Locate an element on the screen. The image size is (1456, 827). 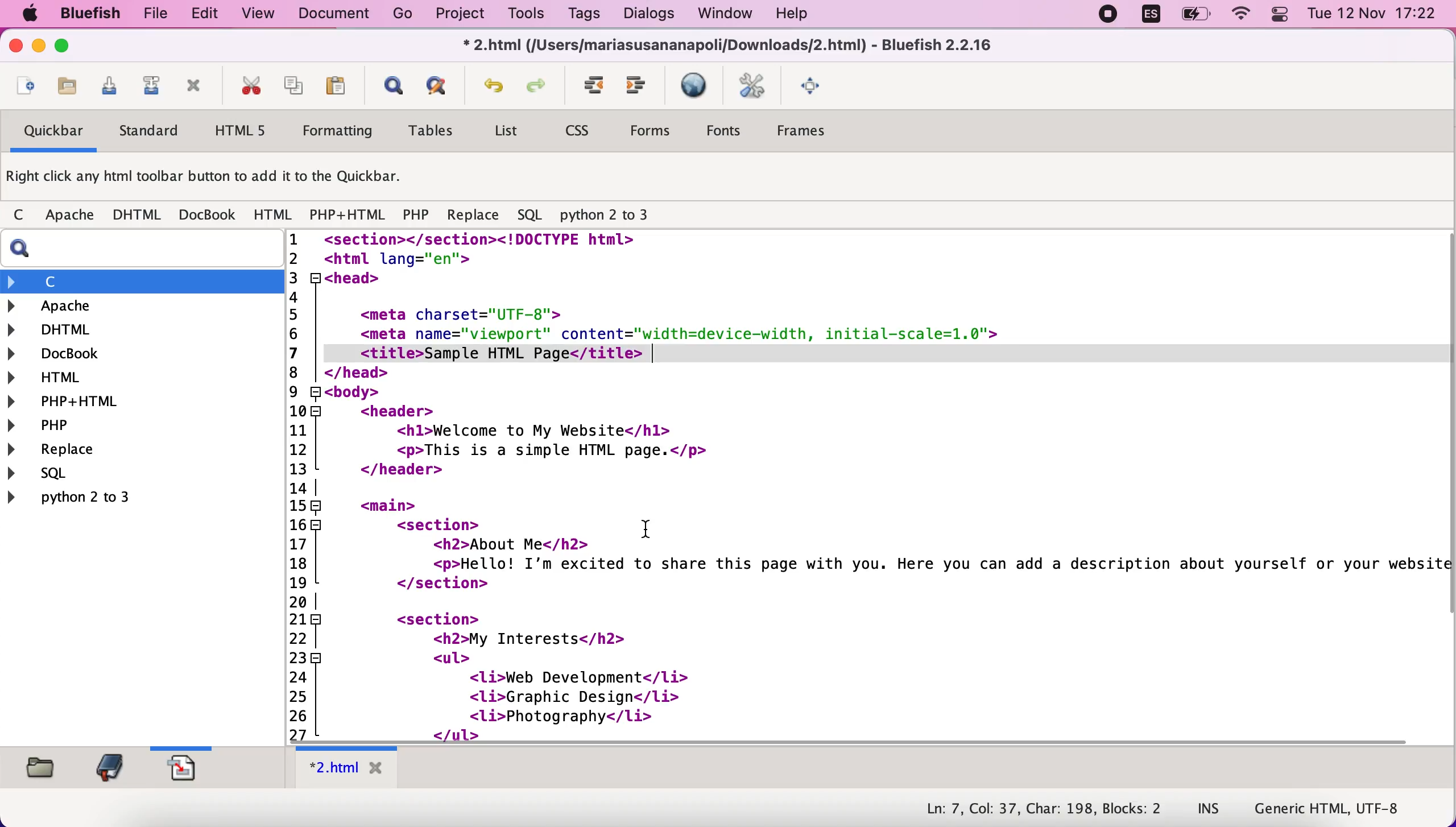
forms is located at coordinates (655, 130).